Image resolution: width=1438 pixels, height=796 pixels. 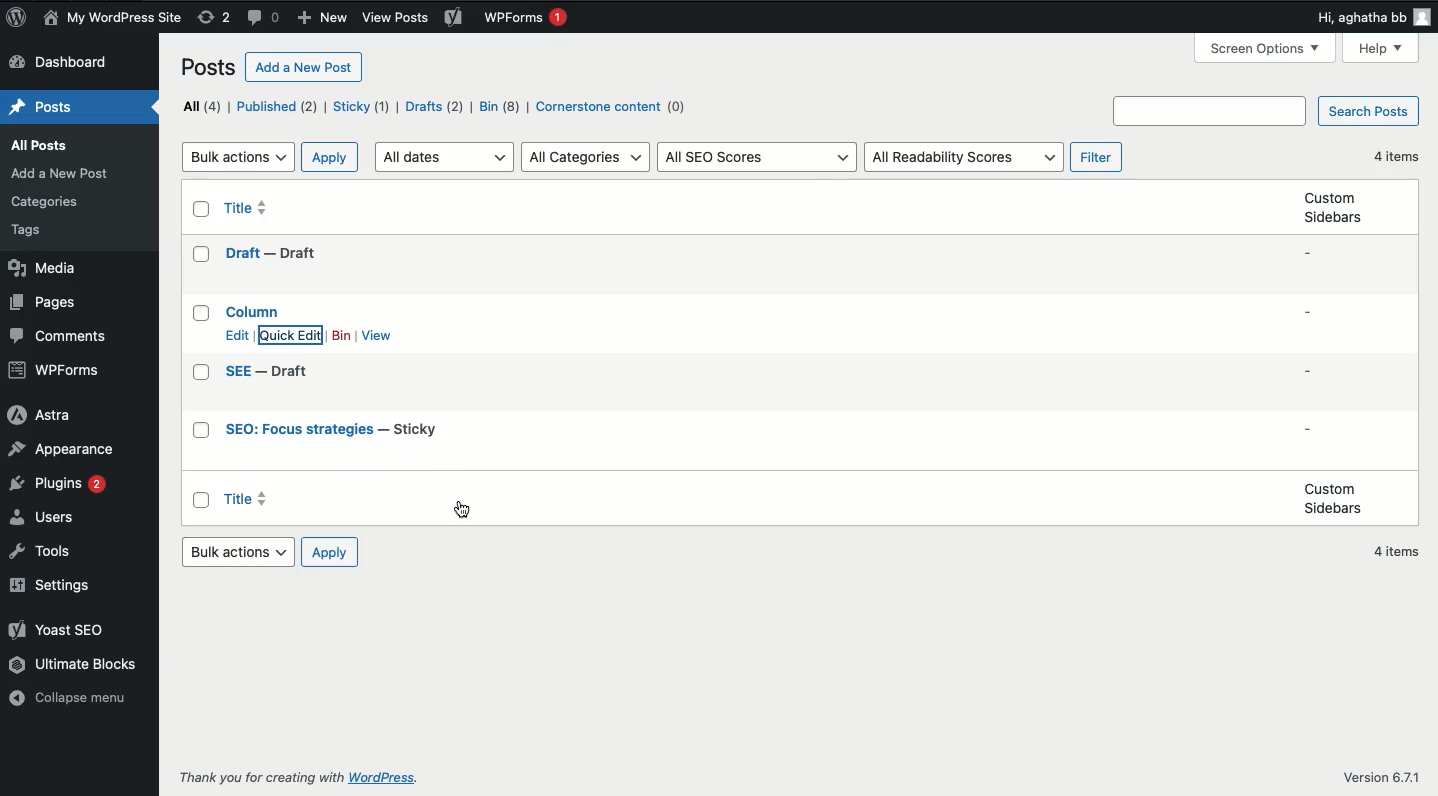 What do you see at coordinates (71, 668) in the screenshot?
I see `Ultimate blocks` at bounding box center [71, 668].